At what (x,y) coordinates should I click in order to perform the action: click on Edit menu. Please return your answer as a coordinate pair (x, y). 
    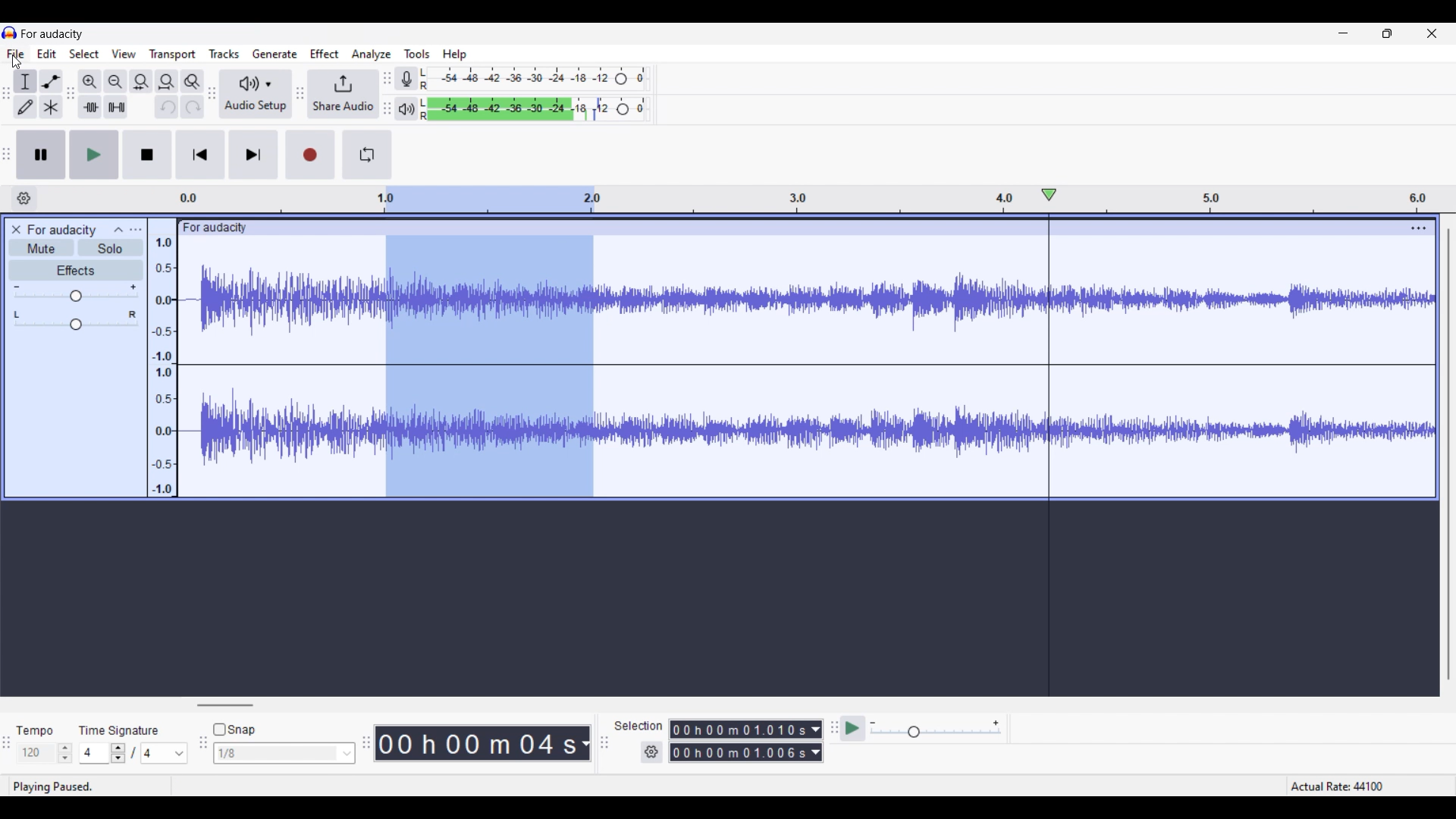
    Looking at the image, I should click on (46, 54).